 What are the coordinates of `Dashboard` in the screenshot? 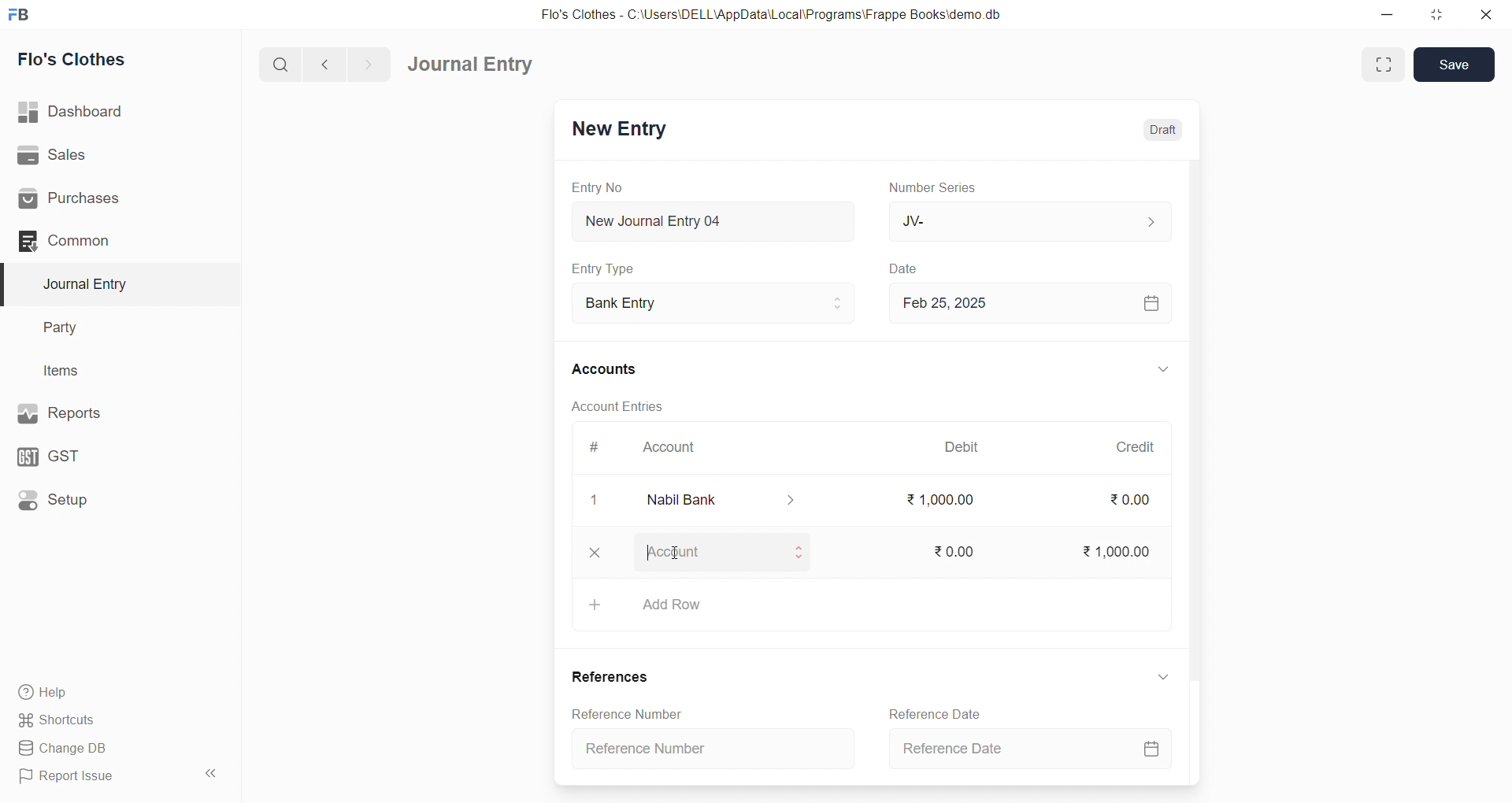 It's located at (116, 112).